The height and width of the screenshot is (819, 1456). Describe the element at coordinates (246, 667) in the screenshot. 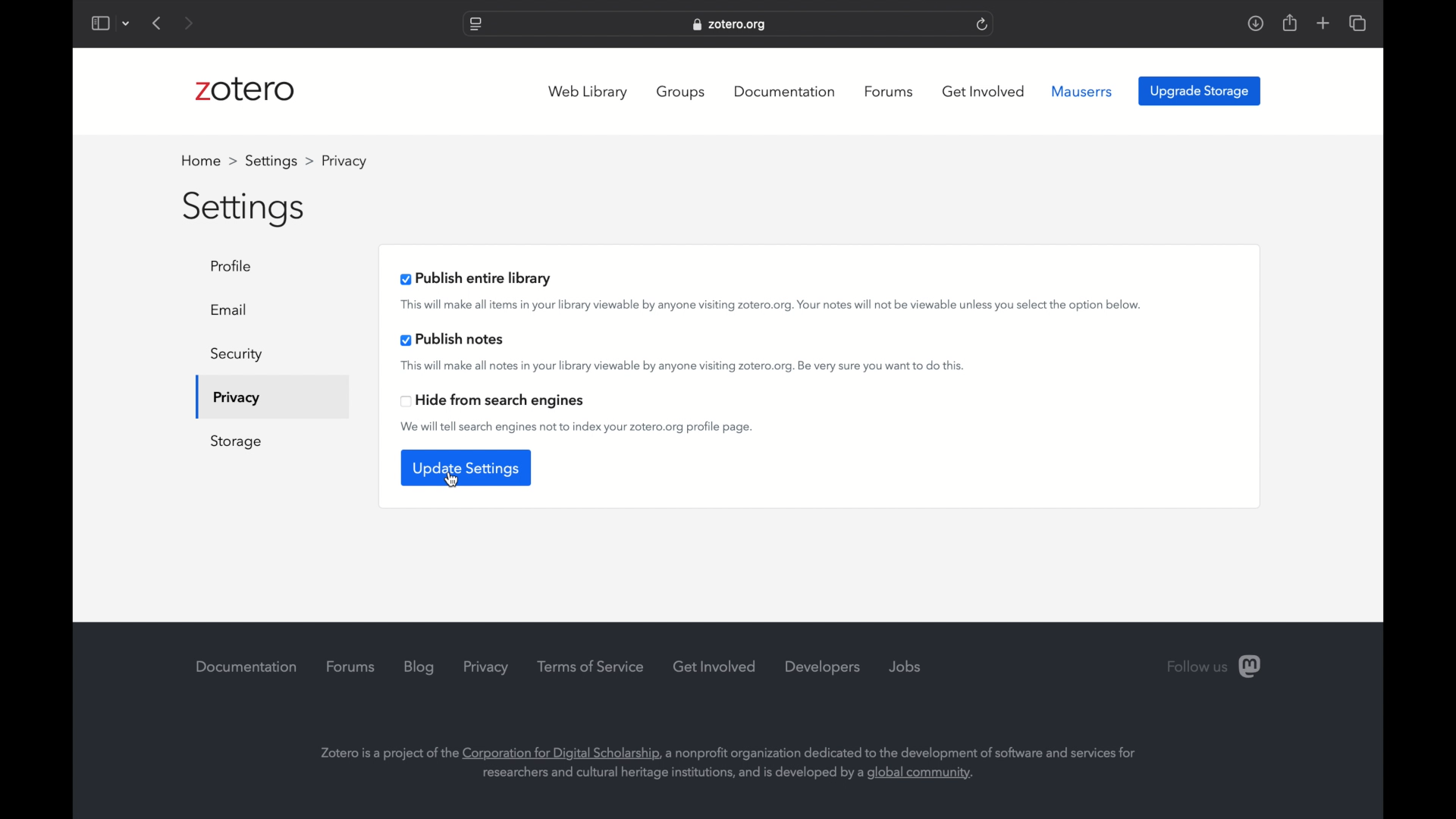

I see `documentation` at that location.